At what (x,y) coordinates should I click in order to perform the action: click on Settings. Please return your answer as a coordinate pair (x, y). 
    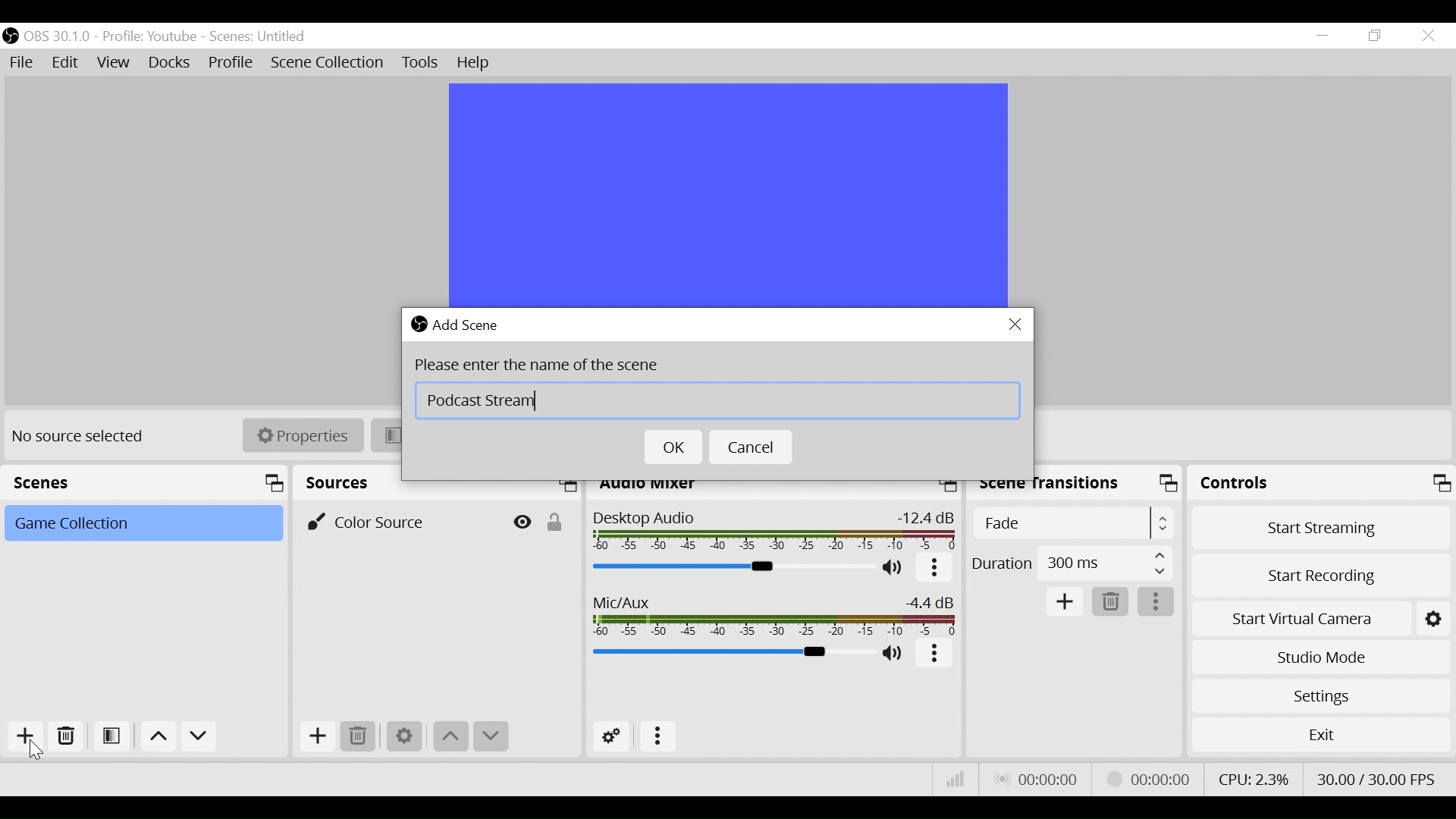
    Looking at the image, I should click on (1320, 695).